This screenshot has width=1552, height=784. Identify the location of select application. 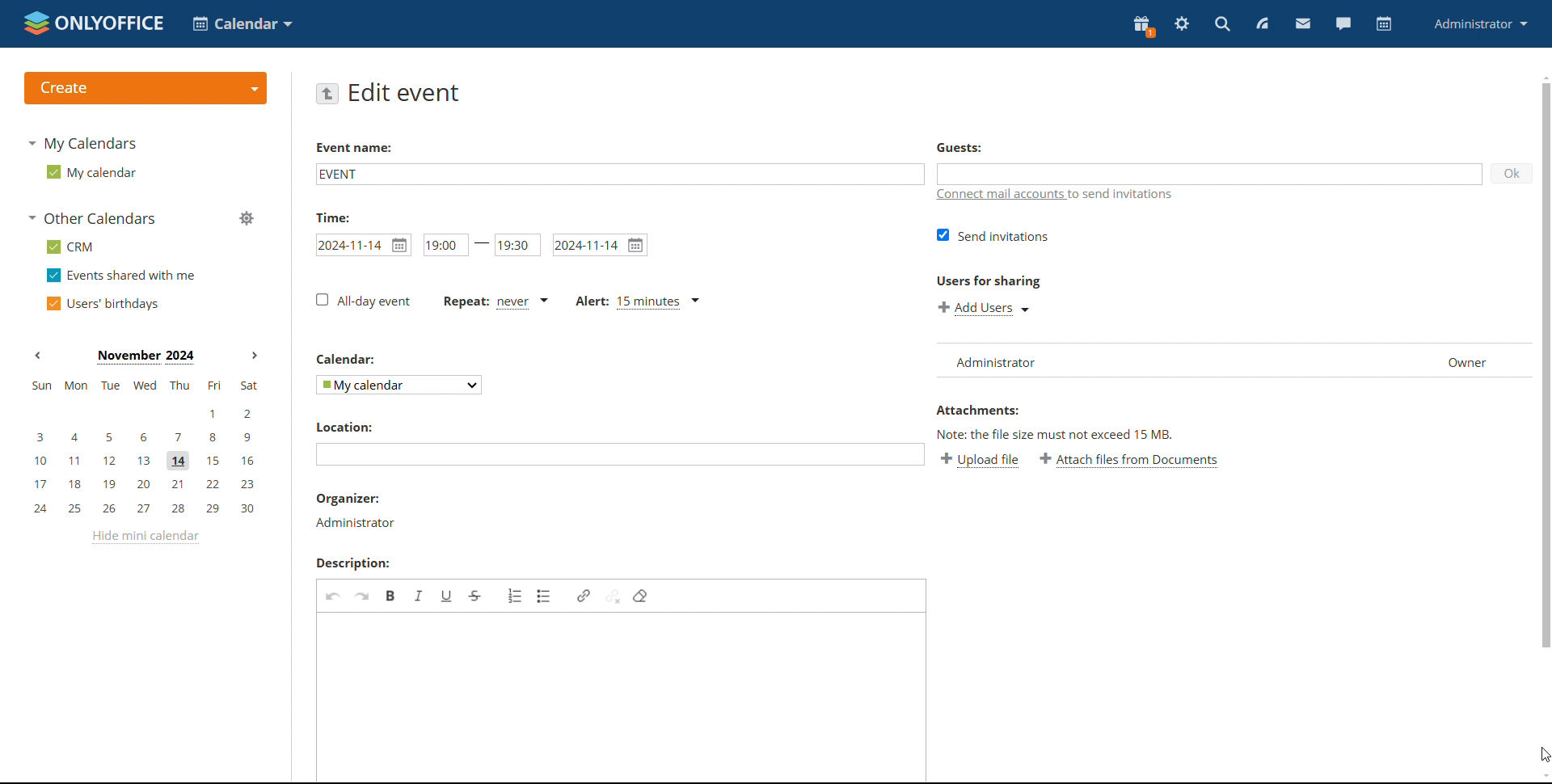
(244, 23).